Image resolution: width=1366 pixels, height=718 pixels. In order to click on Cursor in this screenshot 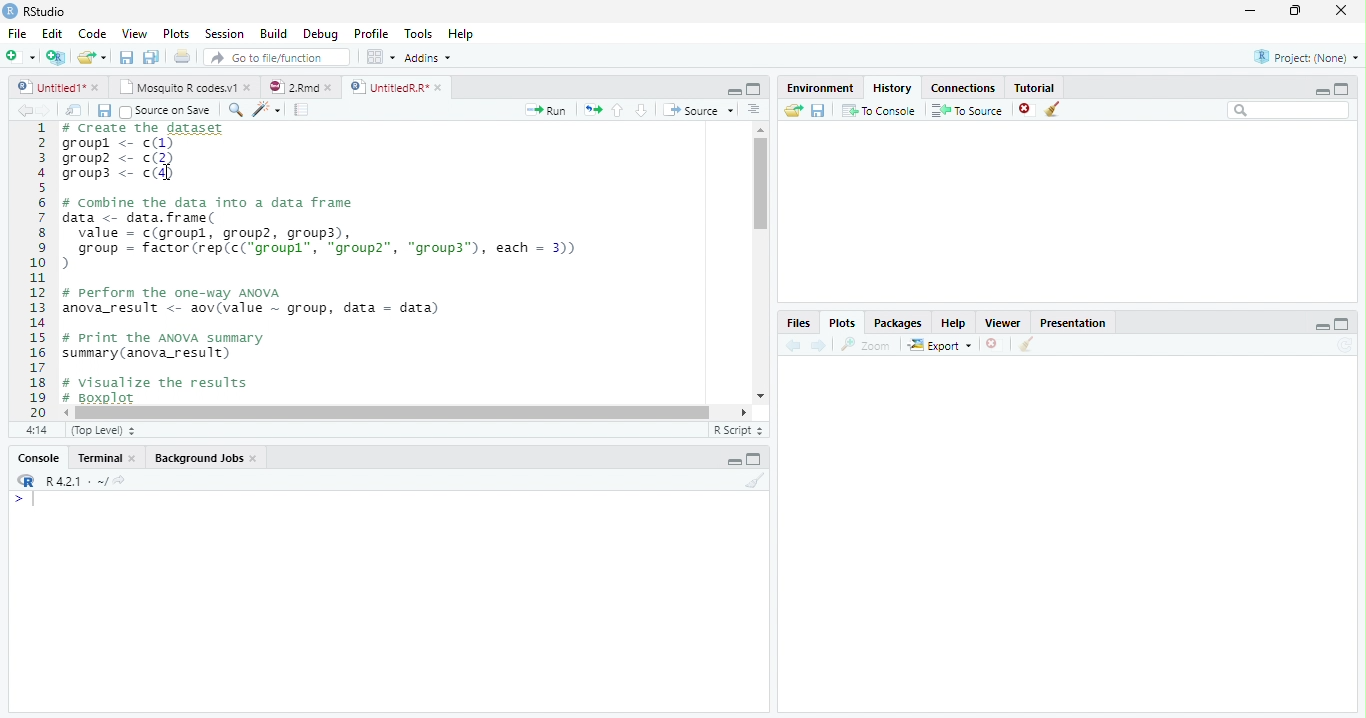, I will do `click(762, 198)`.